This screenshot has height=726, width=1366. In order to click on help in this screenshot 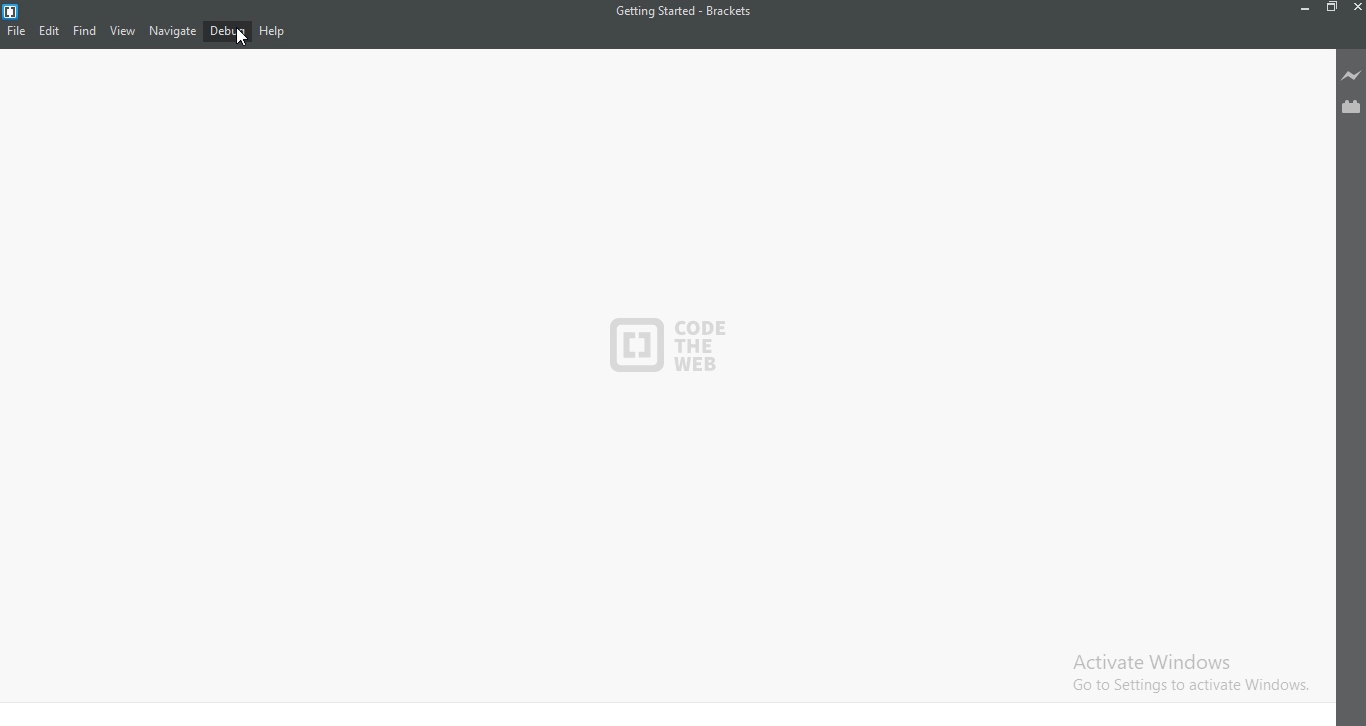, I will do `click(272, 32)`.